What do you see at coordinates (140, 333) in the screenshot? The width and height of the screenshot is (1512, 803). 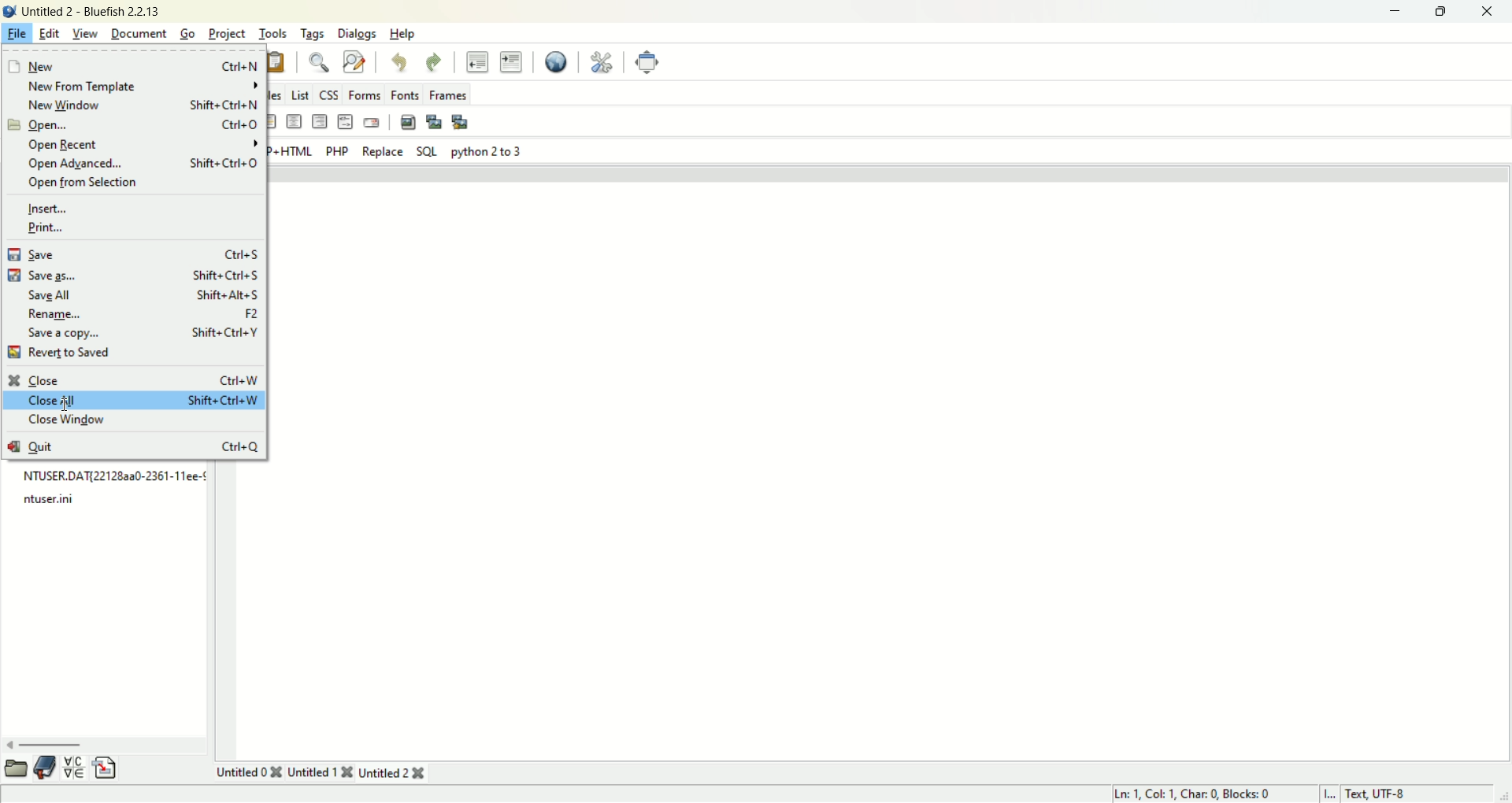 I see `save a copy` at bounding box center [140, 333].